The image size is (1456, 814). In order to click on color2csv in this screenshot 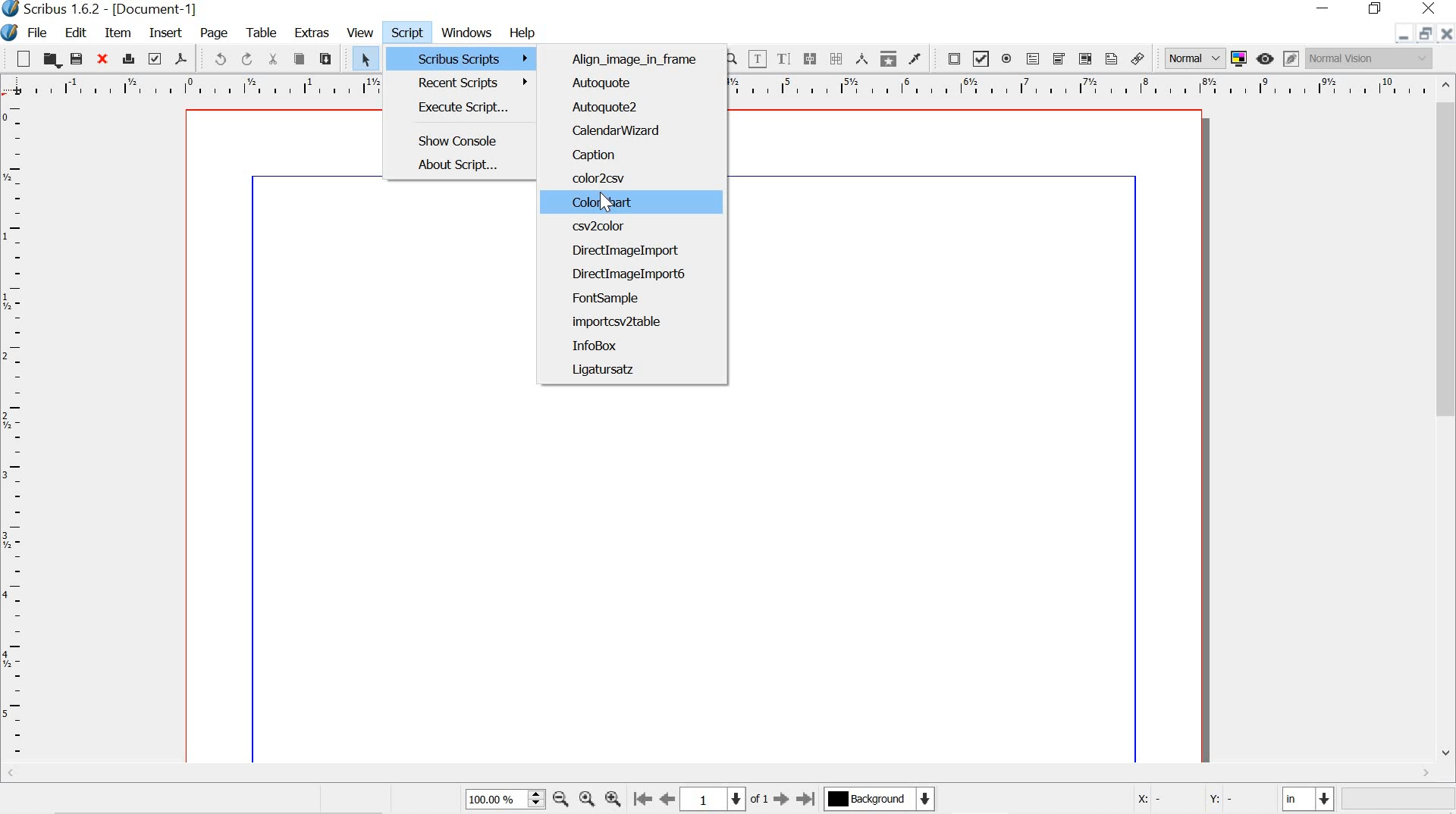, I will do `click(635, 179)`.